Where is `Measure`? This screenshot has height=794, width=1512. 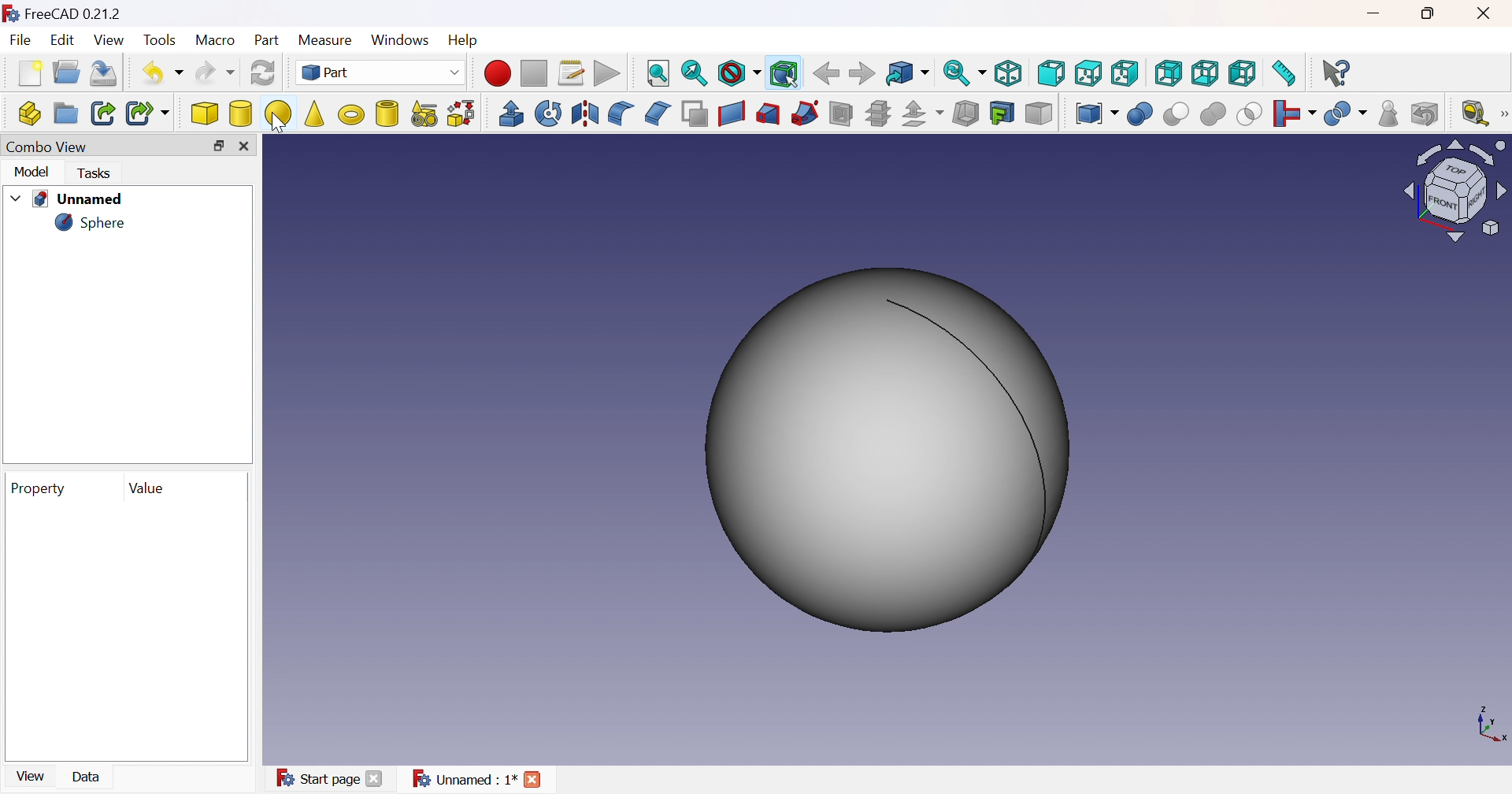 Measure is located at coordinates (325, 41).